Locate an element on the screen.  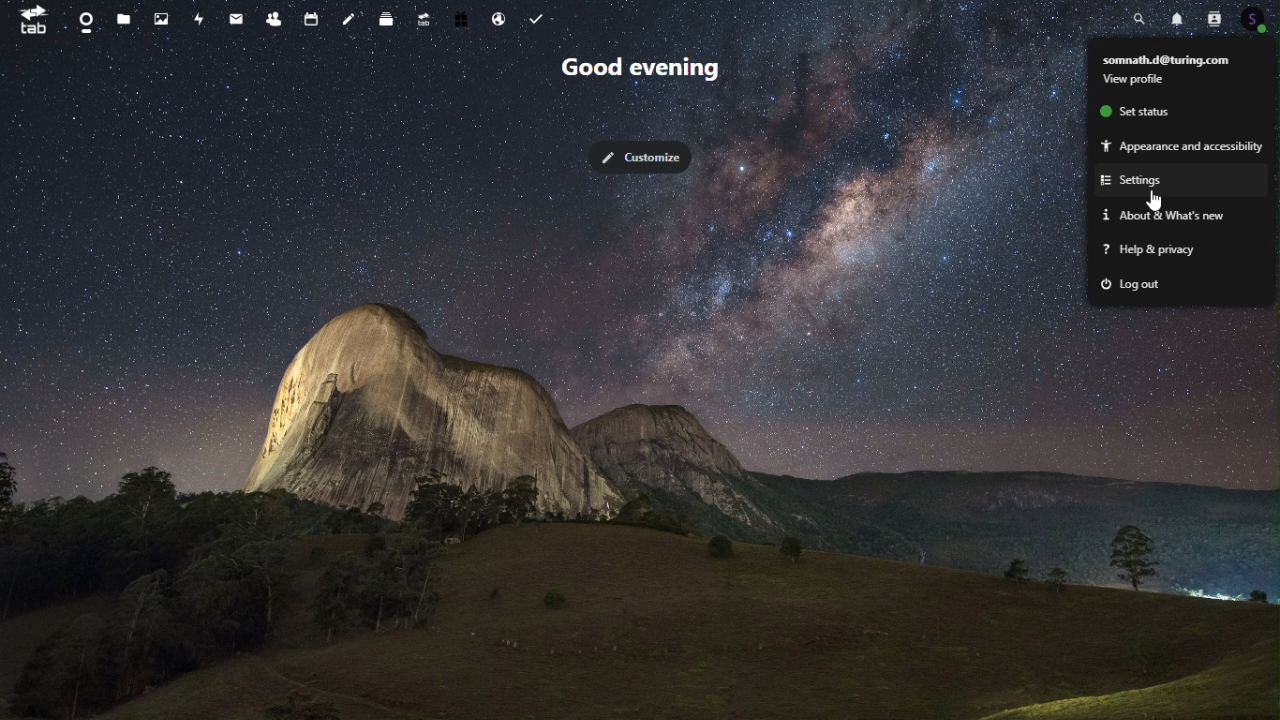
deck is located at coordinates (388, 18).